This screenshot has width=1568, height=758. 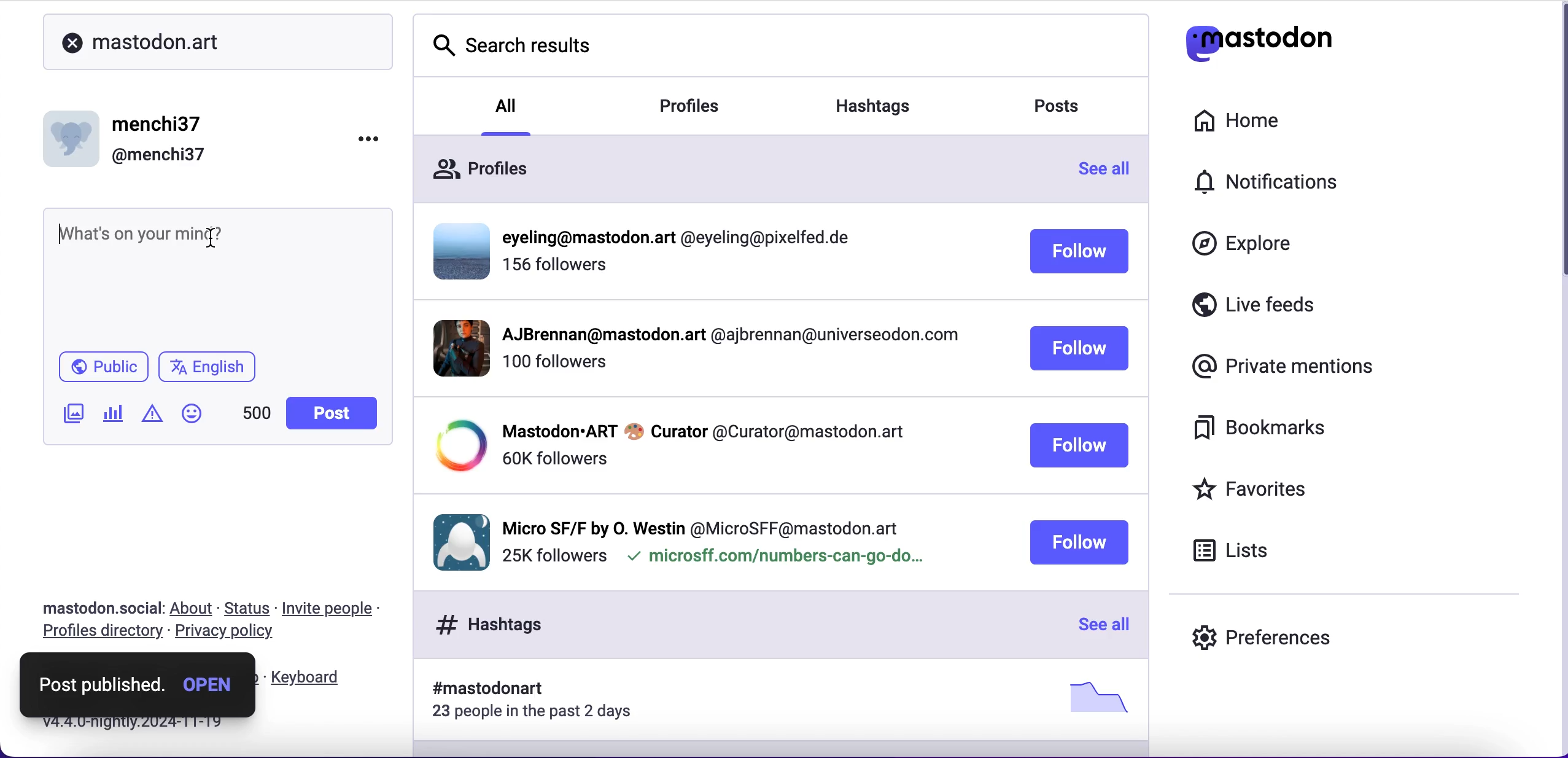 What do you see at coordinates (483, 624) in the screenshot?
I see `hashtags` at bounding box center [483, 624].